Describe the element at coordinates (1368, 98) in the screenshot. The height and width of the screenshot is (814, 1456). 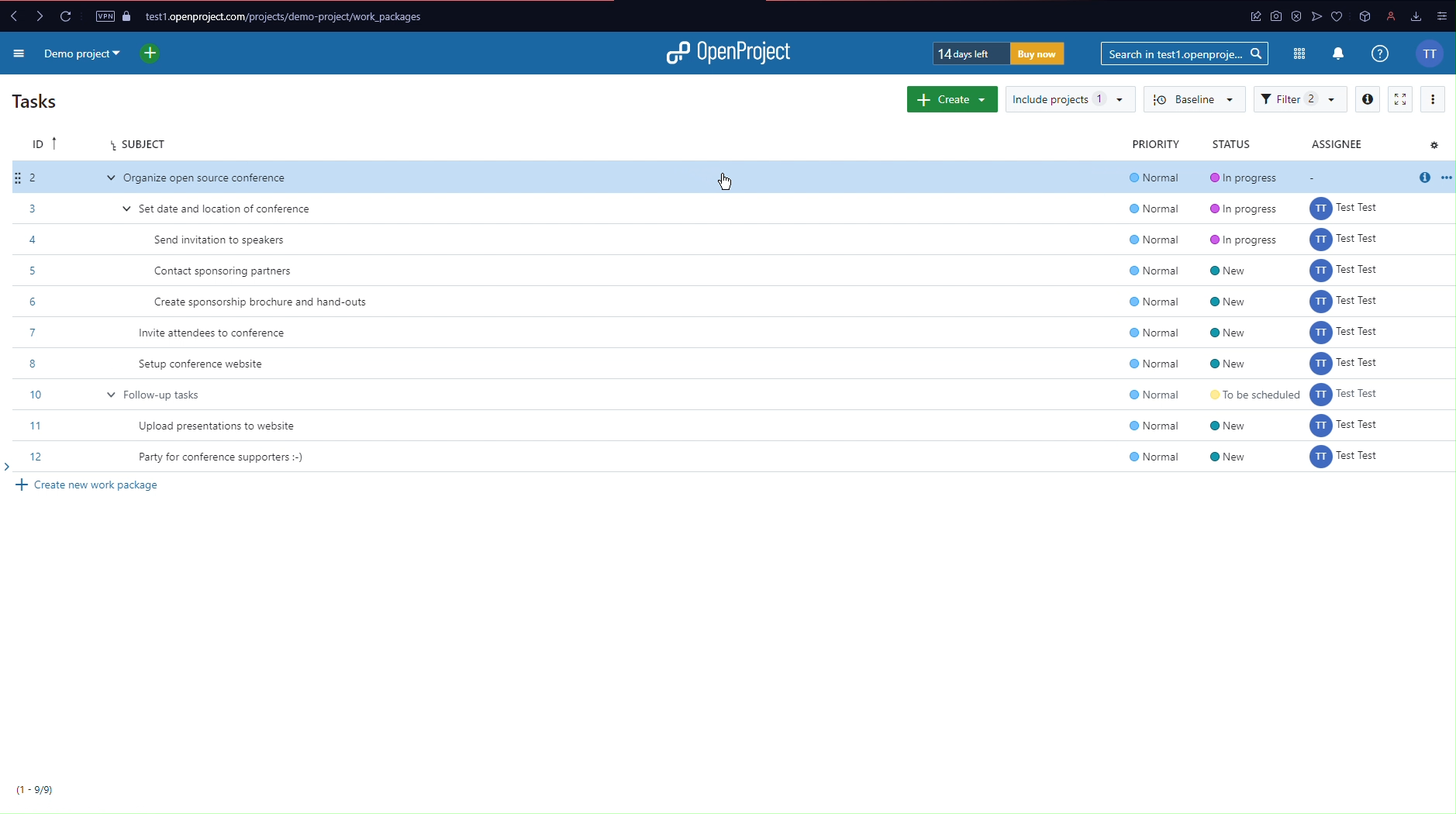
I see `Info` at that location.